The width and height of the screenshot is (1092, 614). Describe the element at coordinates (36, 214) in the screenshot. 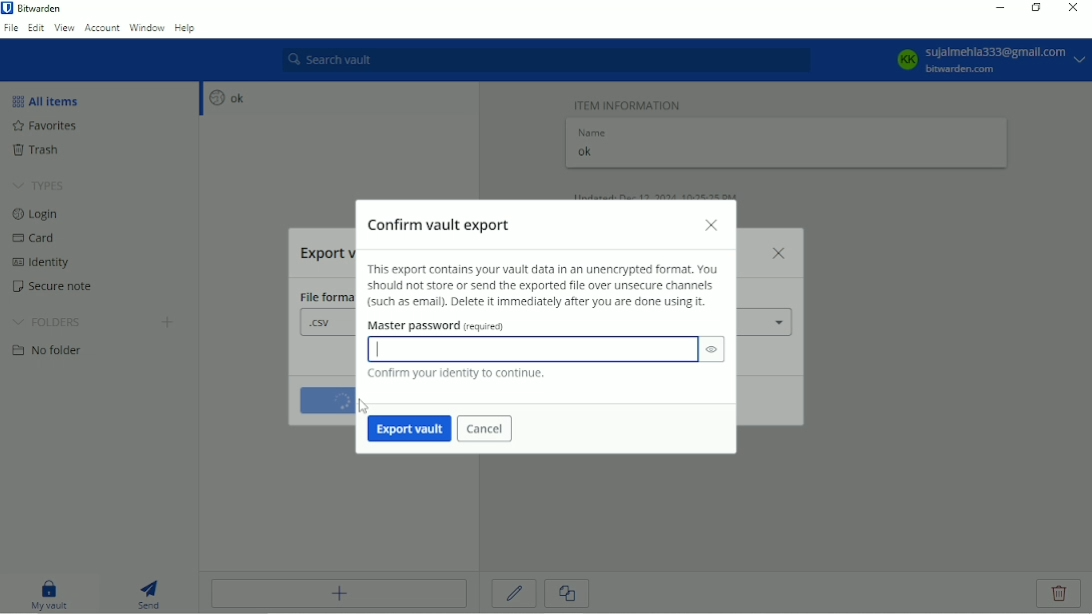

I see `Login` at that location.